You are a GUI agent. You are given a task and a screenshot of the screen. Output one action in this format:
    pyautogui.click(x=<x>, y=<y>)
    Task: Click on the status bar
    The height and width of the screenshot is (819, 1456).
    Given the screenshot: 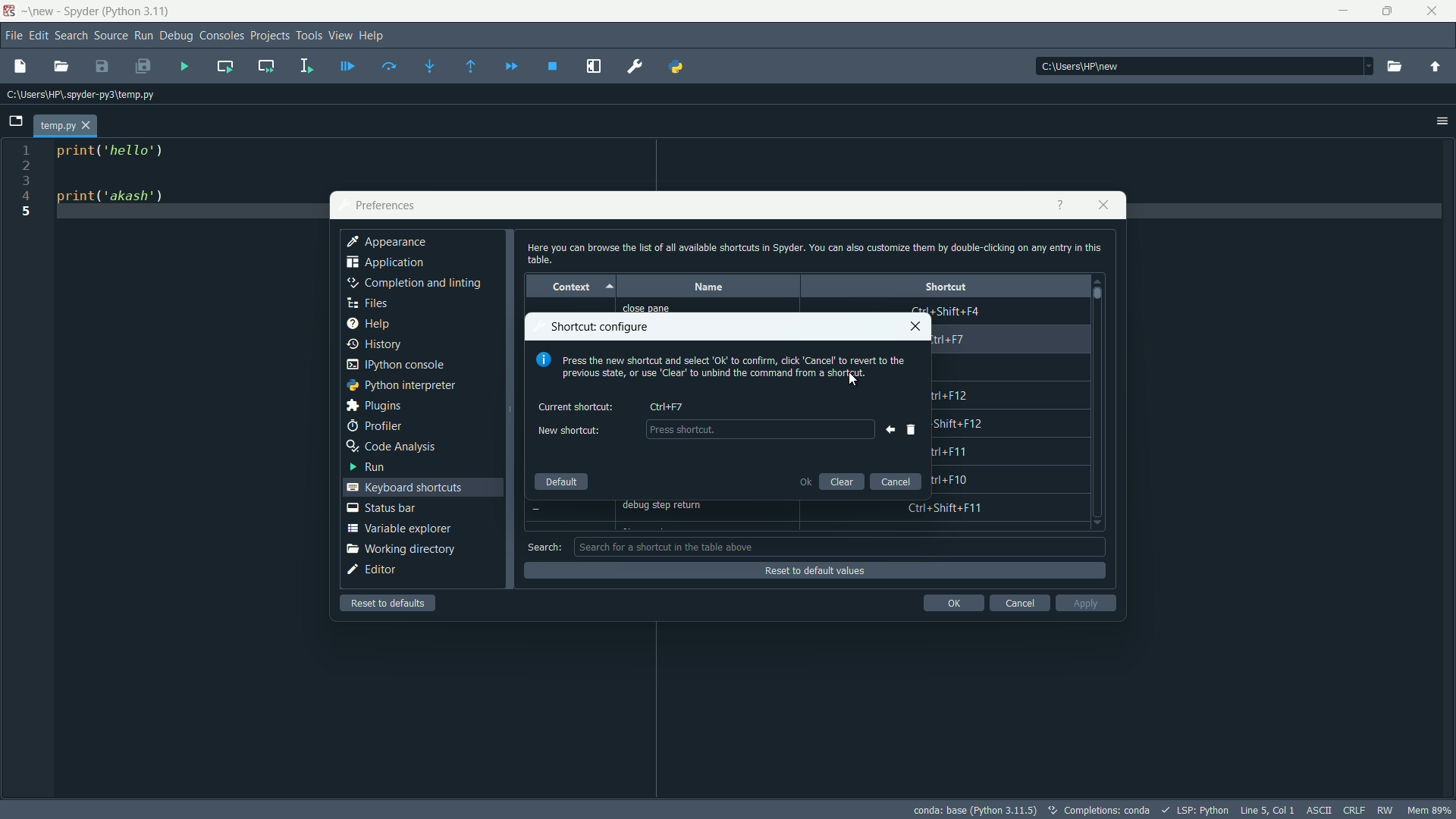 What is the action you would take?
    pyautogui.click(x=381, y=507)
    